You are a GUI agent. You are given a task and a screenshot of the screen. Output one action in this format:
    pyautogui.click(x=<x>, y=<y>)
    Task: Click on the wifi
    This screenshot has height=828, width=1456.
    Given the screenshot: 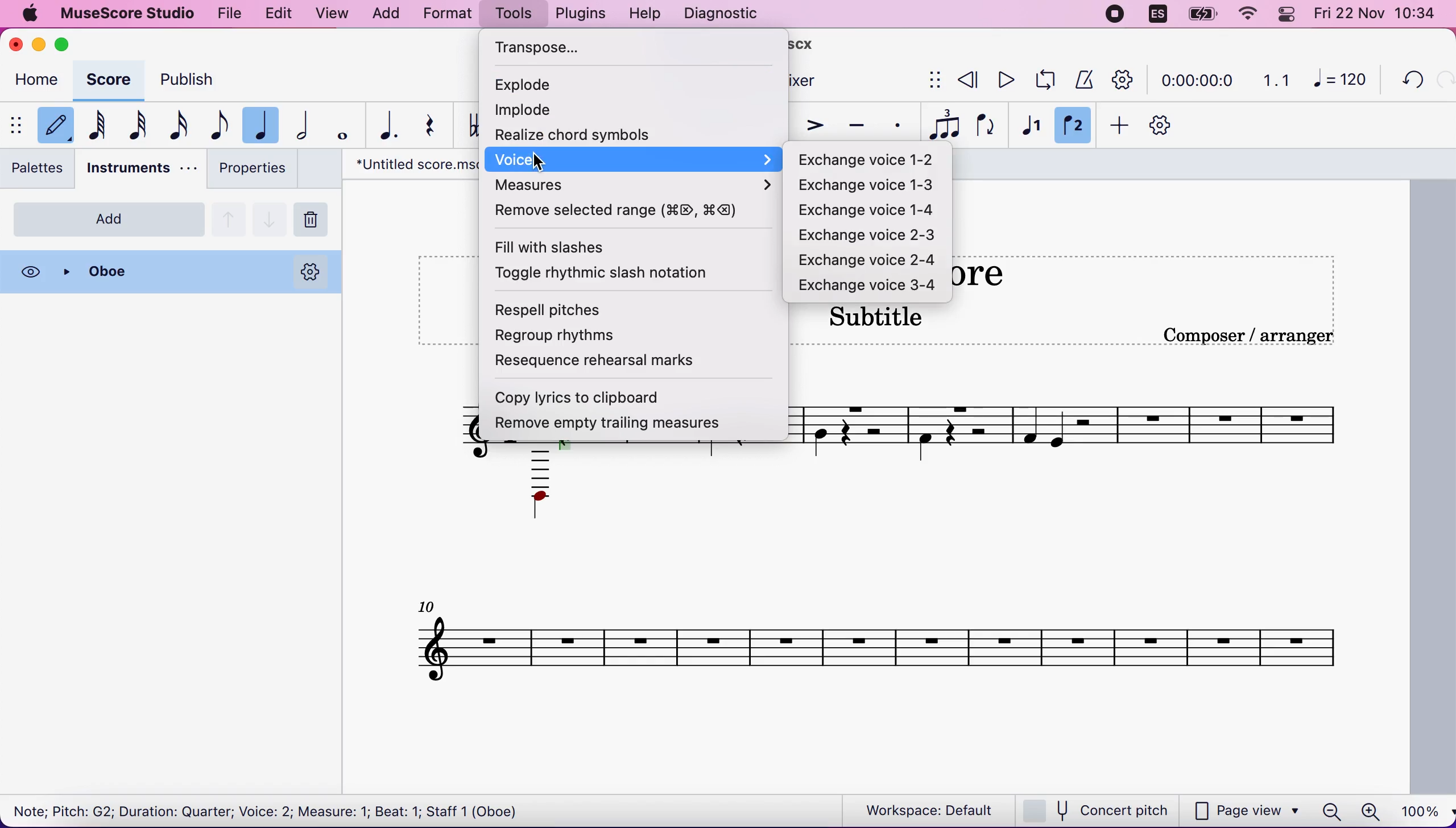 What is the action you would take?
    pyautogui.click(x=1243, y=13)
    